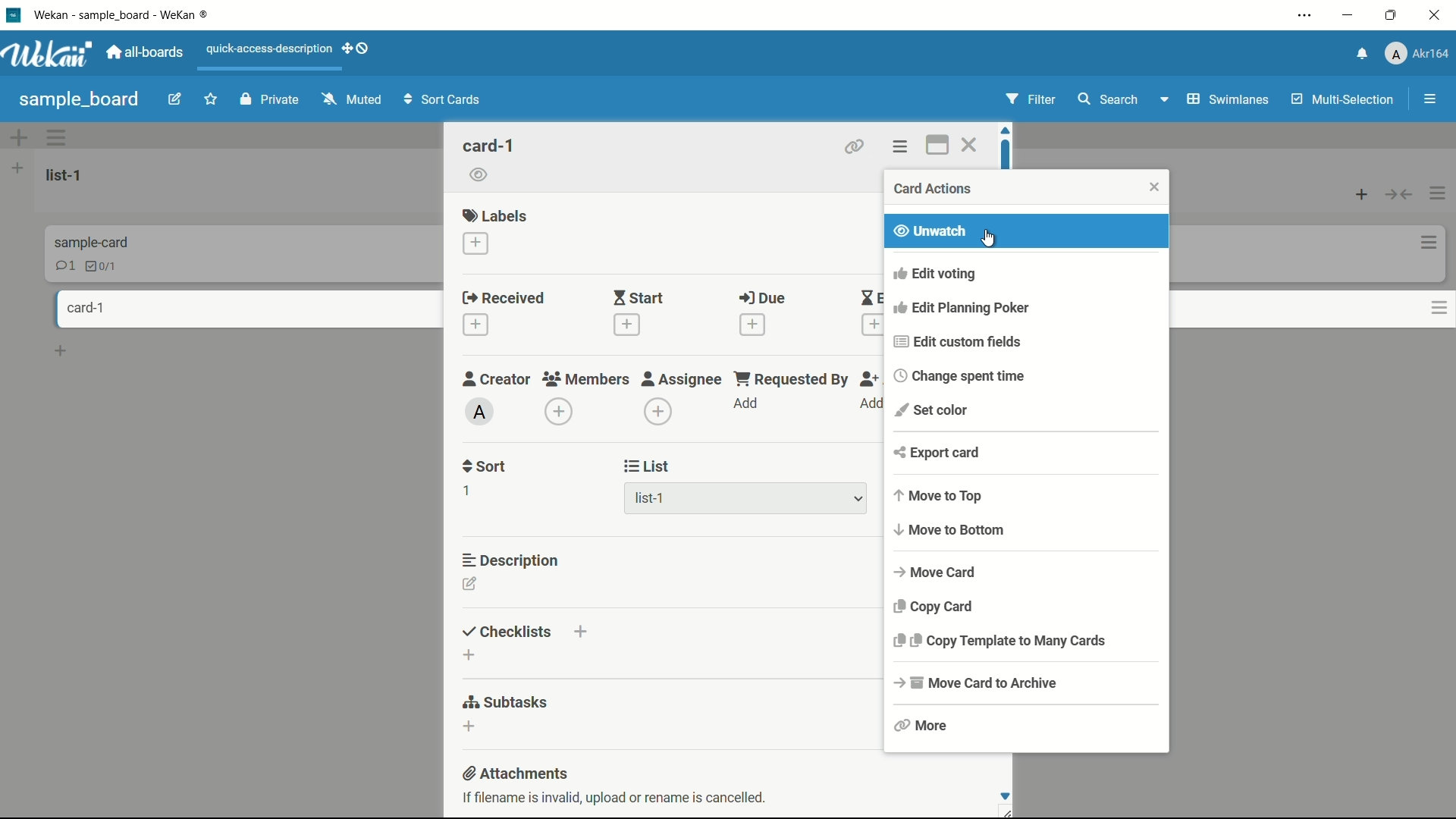 This screenshot has width=1456, height=819. Describe the element at coordinates (943, 573) in the screenshot. I see `move card` at that location.